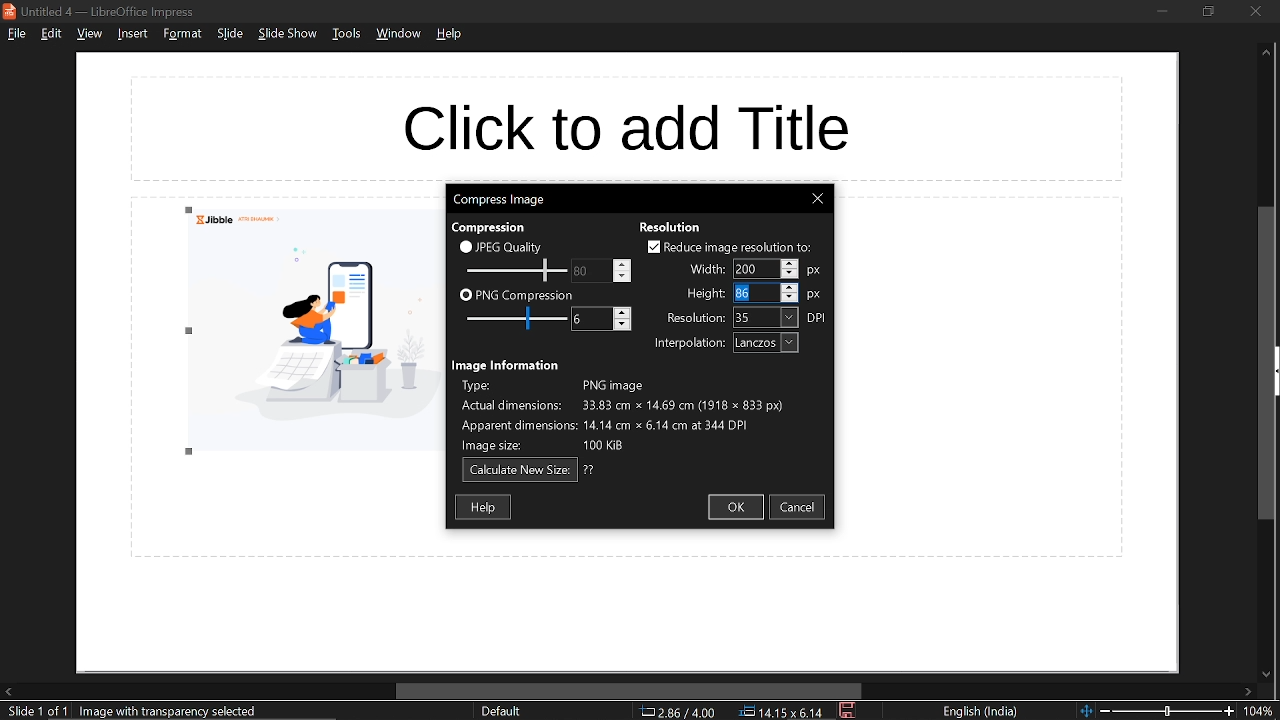  Describe the element at coordinates (754, 269) in the screenshot. I see ` width` at that location.